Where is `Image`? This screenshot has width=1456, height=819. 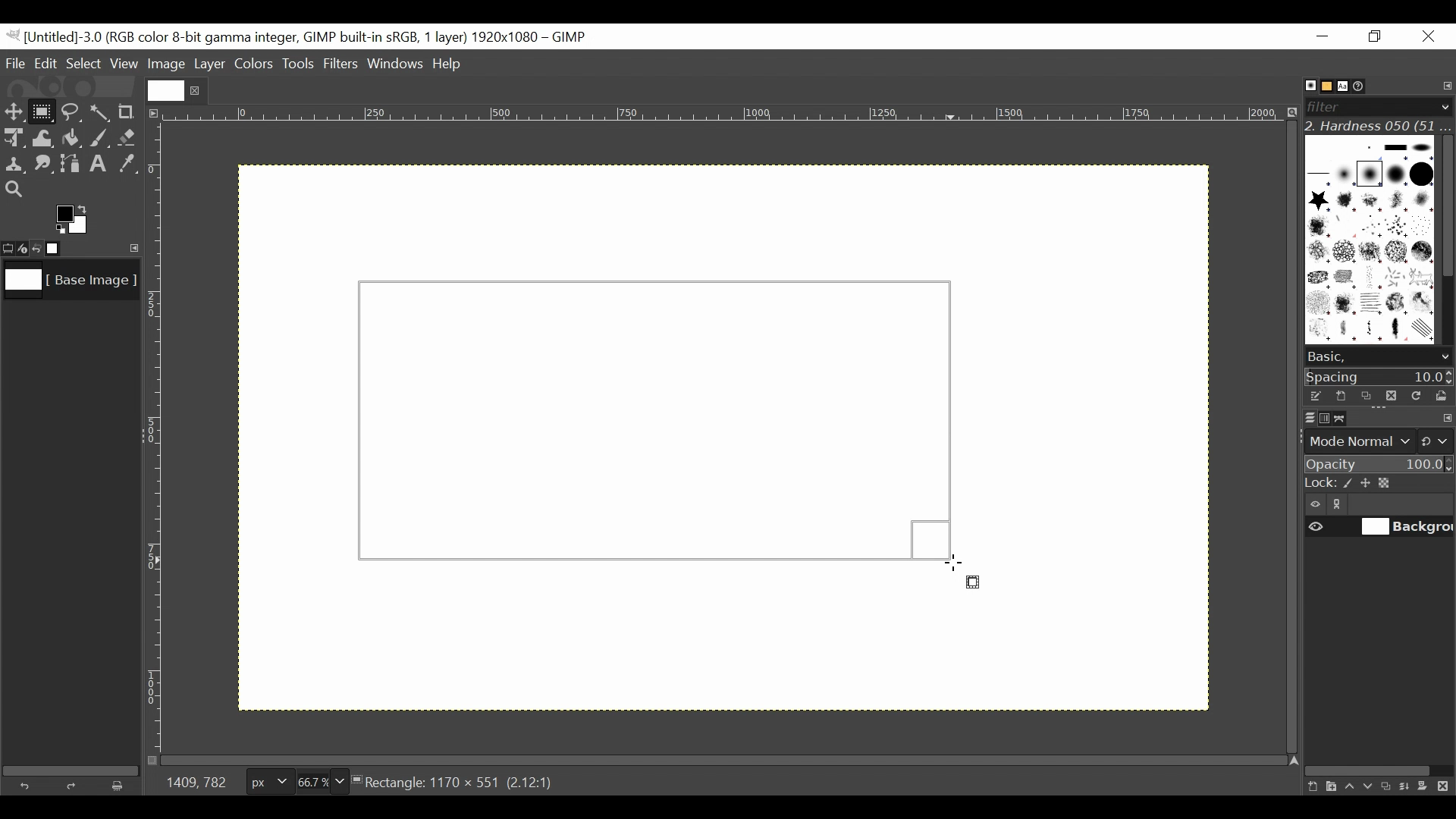 Image is located at coordinates (68, 284).